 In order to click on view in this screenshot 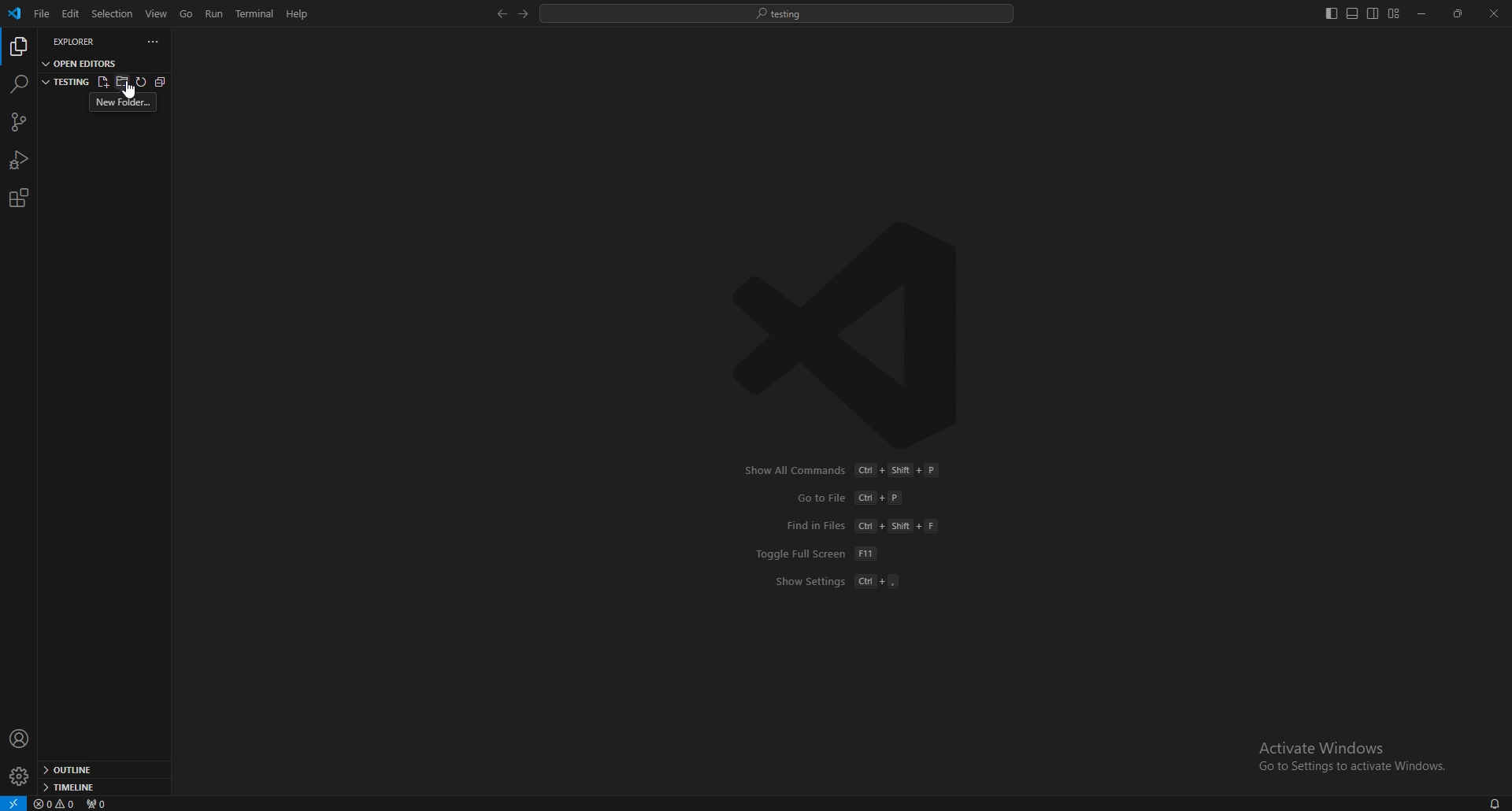, I will do `click(157, 13)`.